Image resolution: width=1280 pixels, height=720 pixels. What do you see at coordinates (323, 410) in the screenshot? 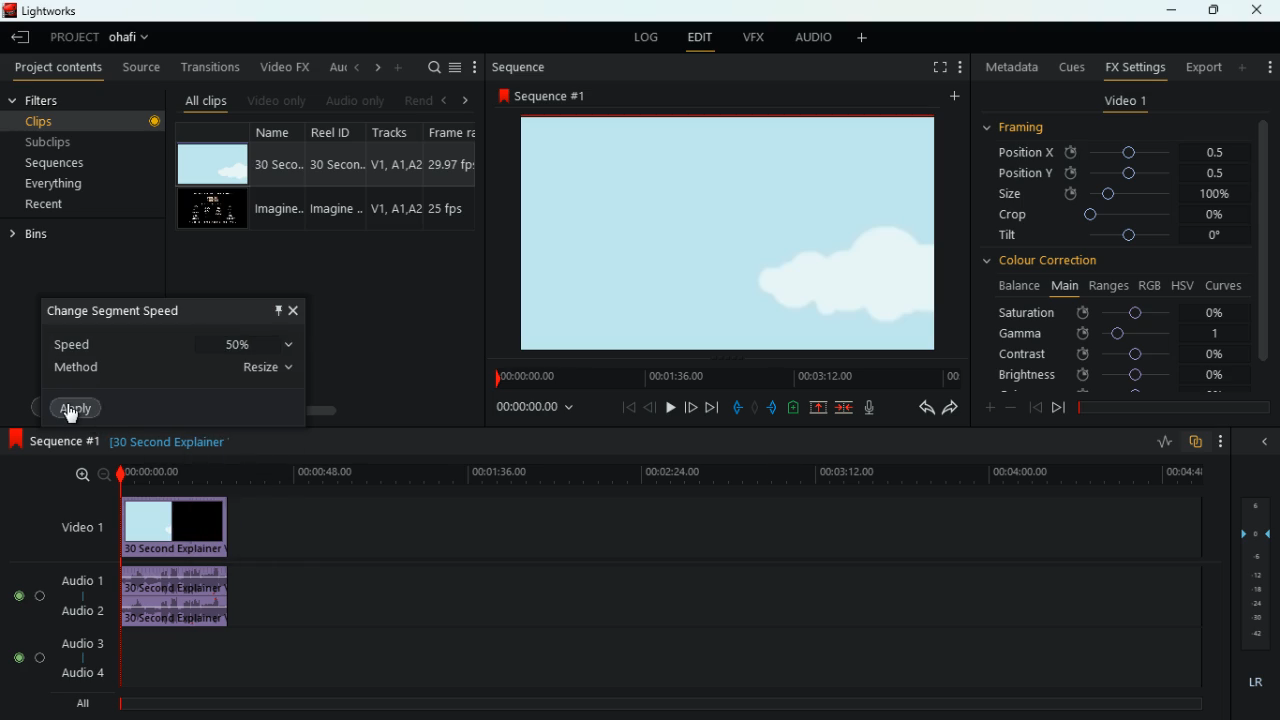
I see `scroll` at bounding box center [323, 410].